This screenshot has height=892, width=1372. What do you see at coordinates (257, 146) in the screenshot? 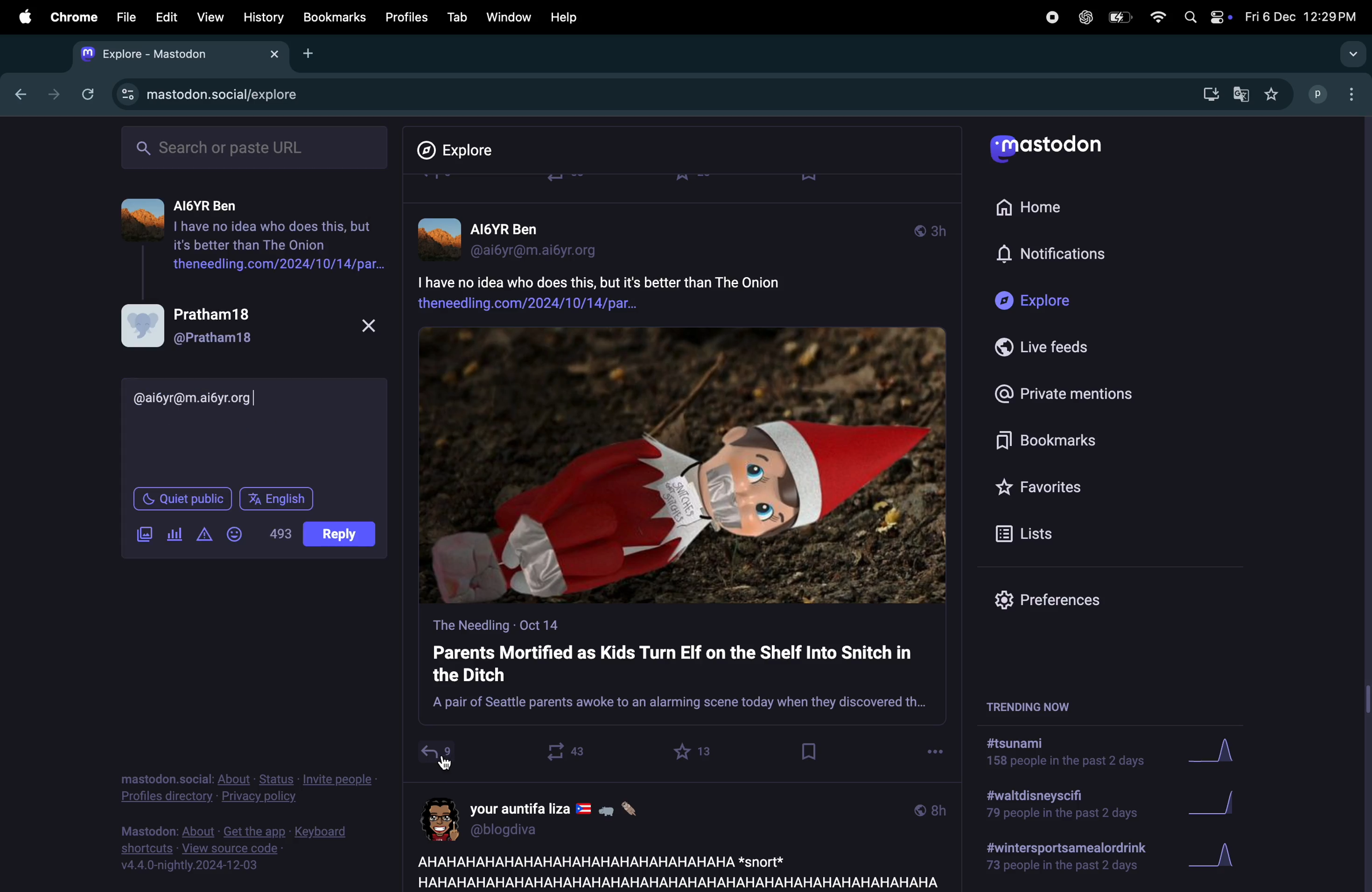
I see `search url` at bounding box center [257, 146].